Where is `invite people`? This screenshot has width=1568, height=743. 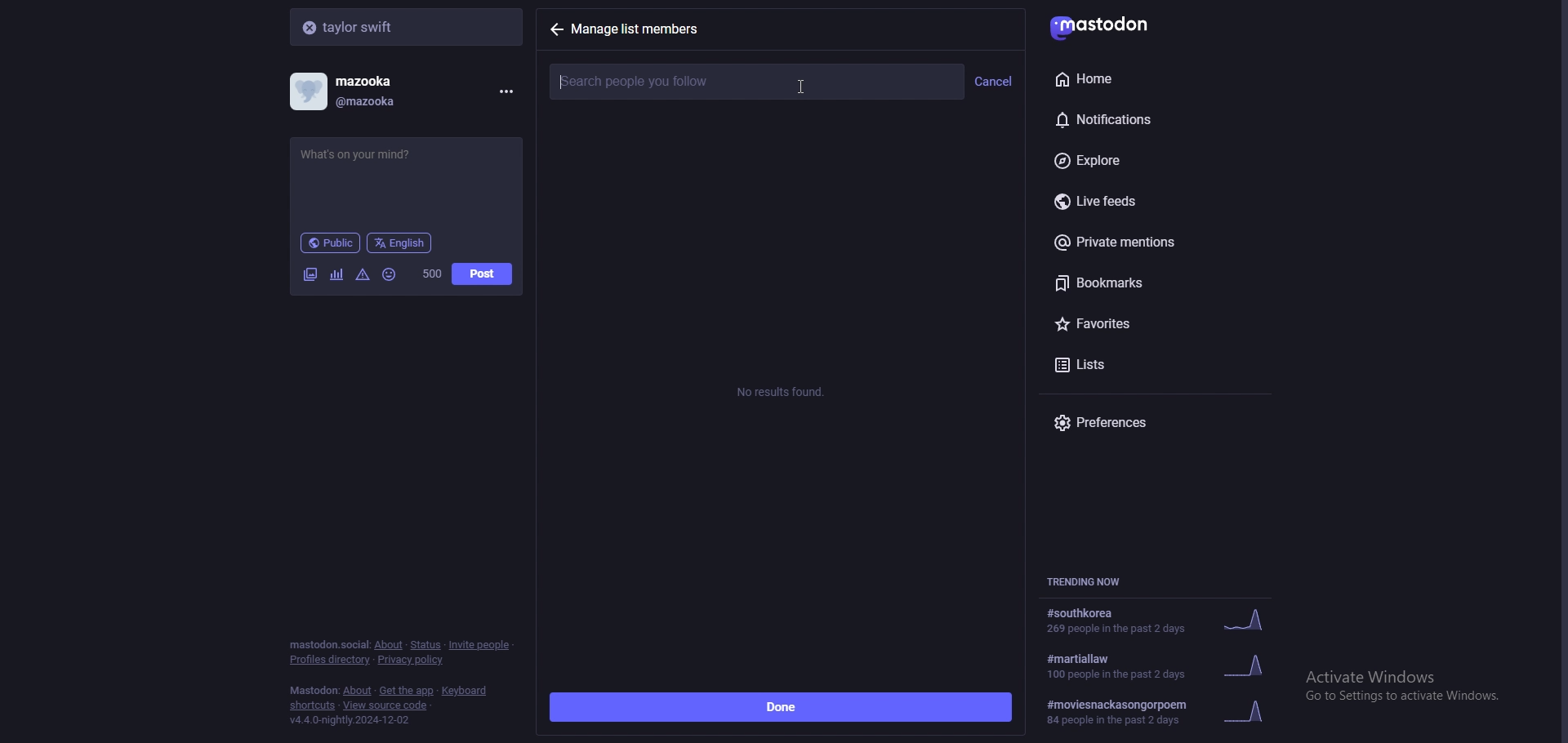 invite people is located at coordinates (480, 644).